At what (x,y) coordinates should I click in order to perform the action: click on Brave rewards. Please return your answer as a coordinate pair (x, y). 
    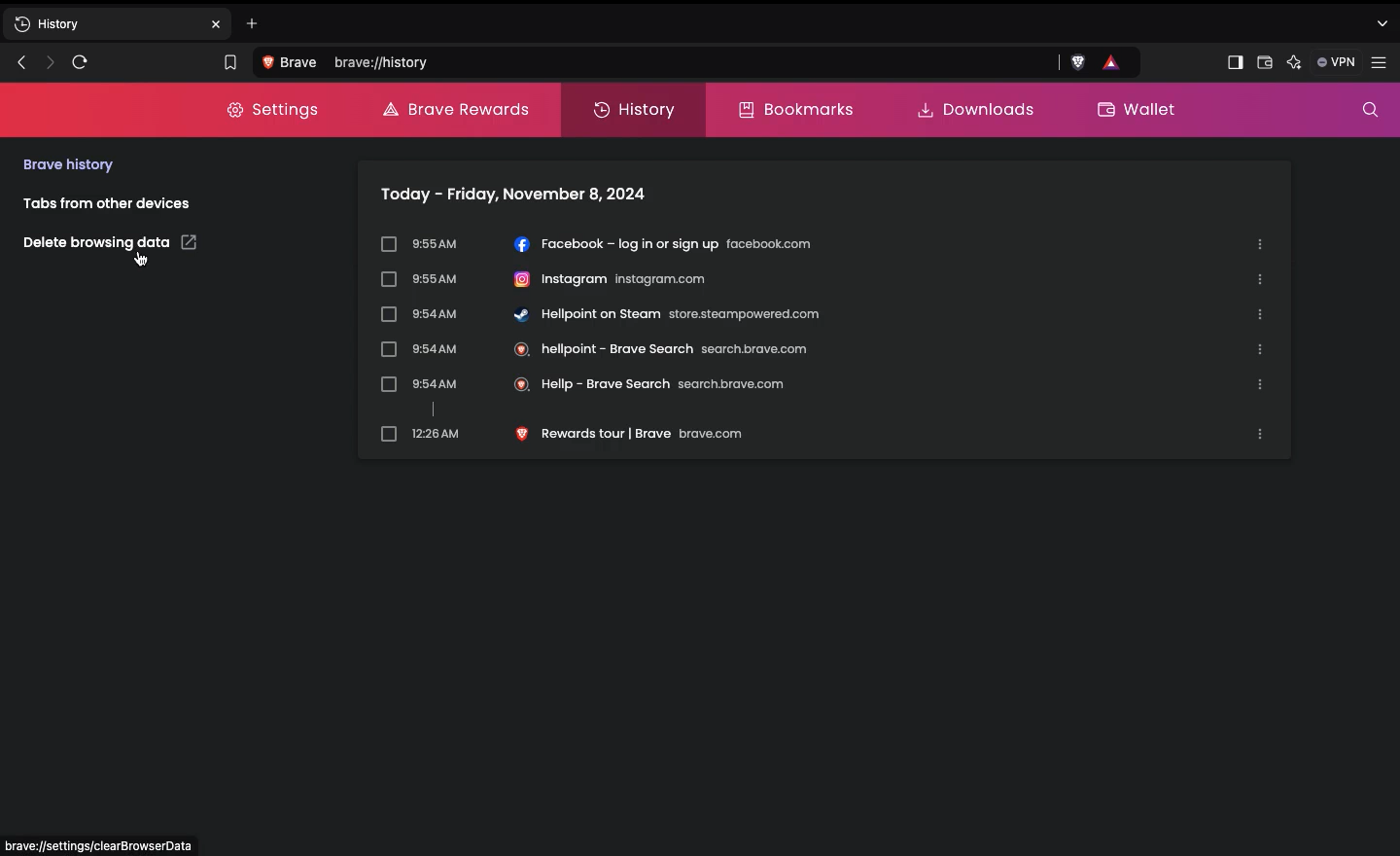
    Looking at the image, I should click on (454, 108).